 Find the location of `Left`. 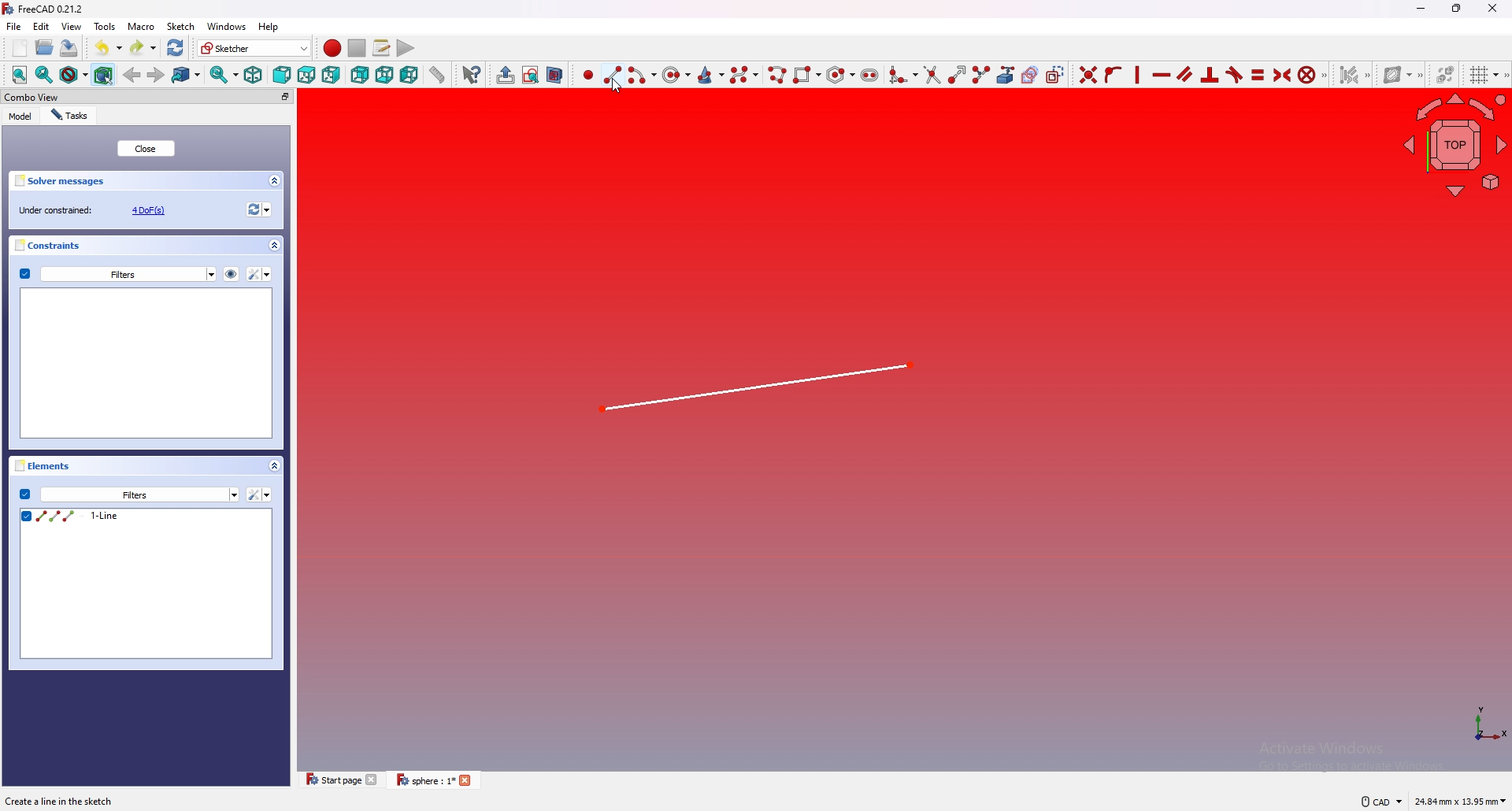

Left is located at coordinates (409, 75).